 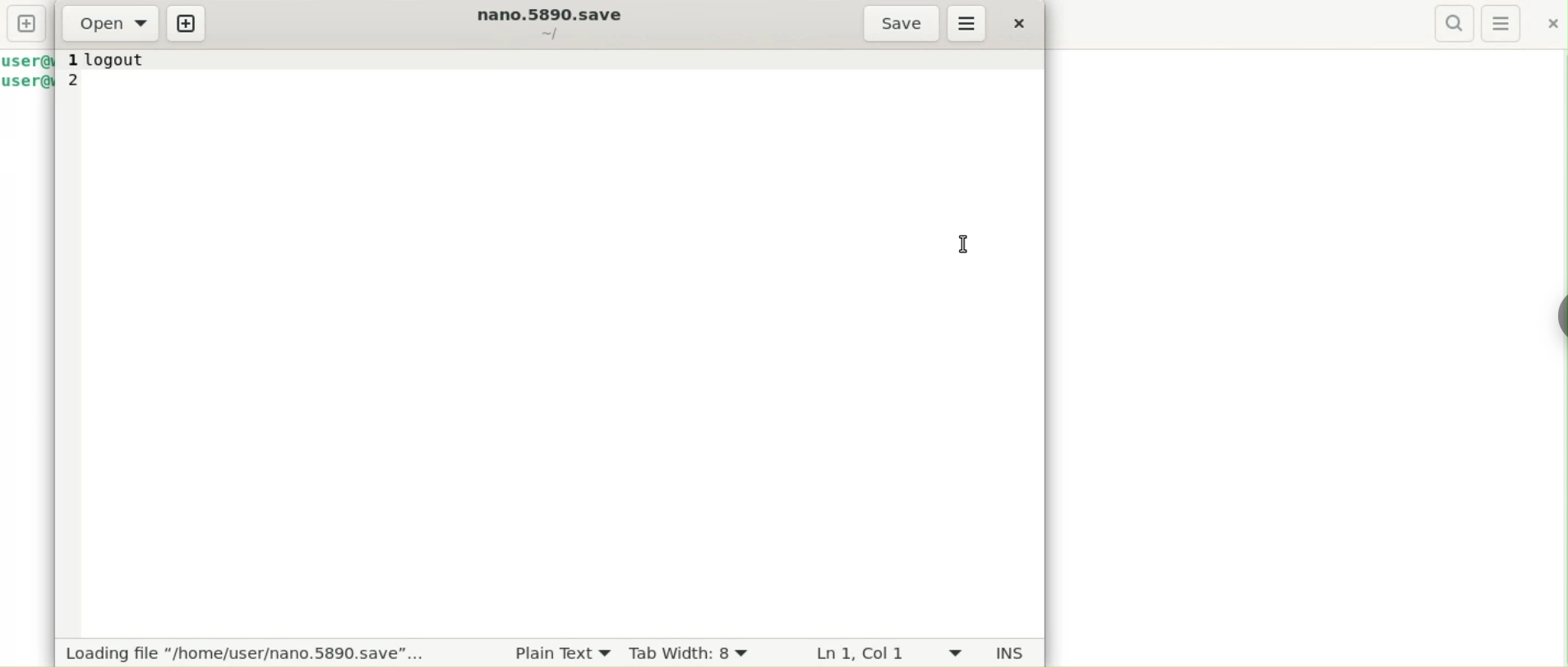 I want to click on Close, so click(x=1019, y=27).